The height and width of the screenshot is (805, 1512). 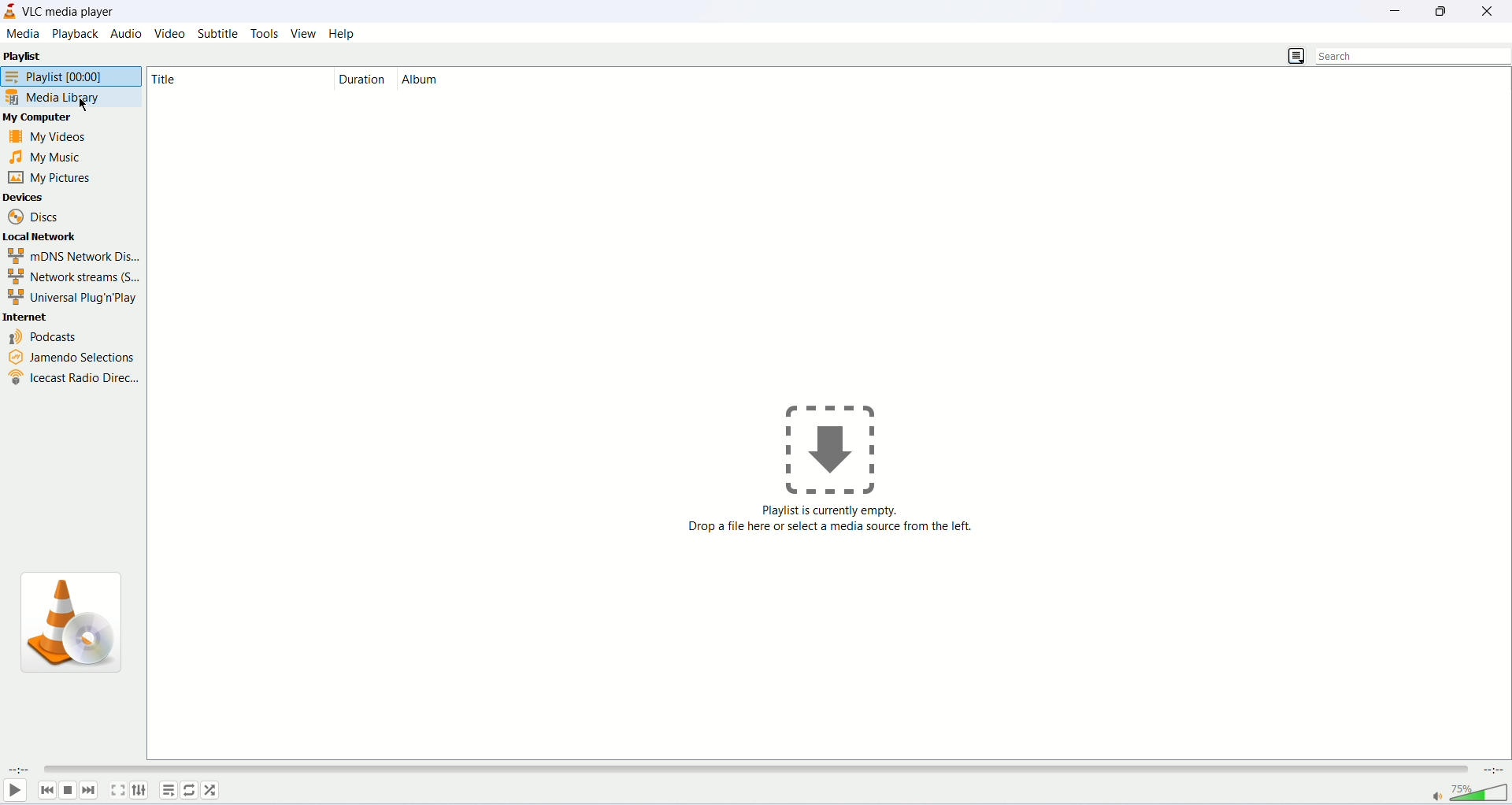 What do you see at coordinates (46, 337) in the screenshot?
I see `podcasts` at bounding box center [46, 337].